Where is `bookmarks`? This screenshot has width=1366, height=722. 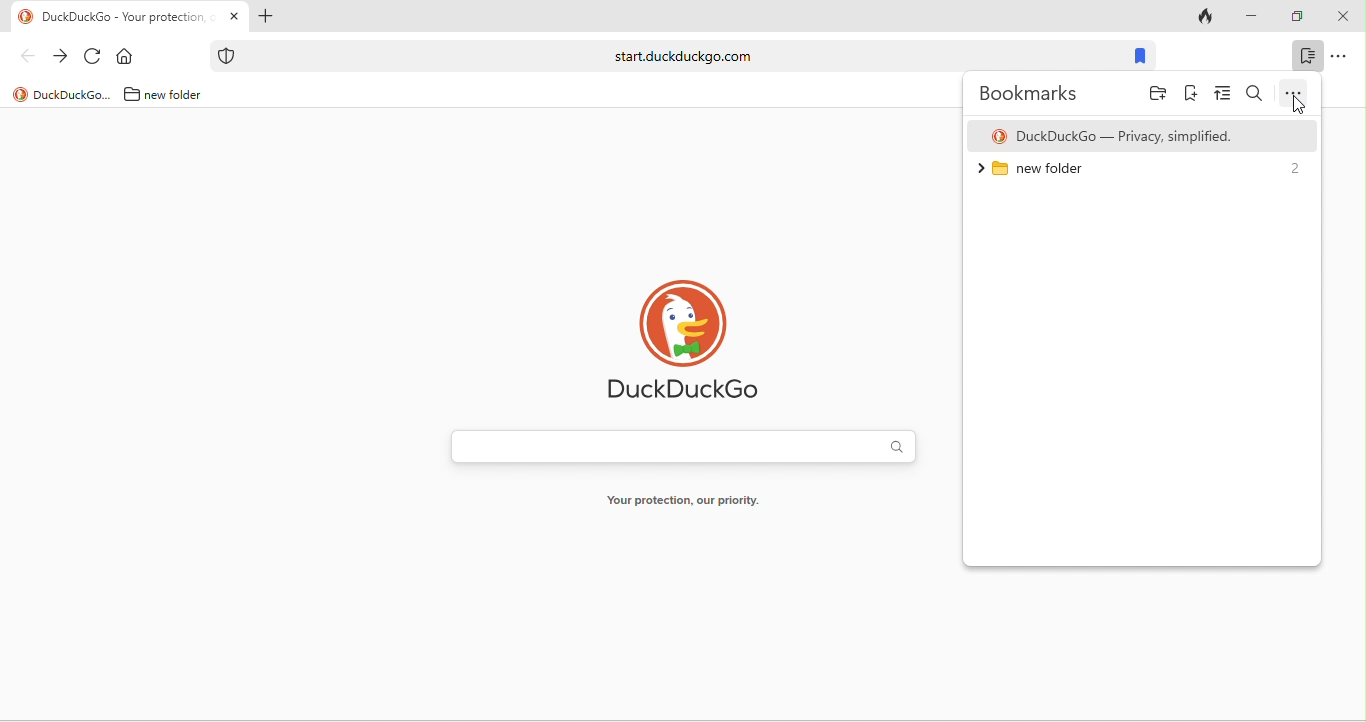
bookmarks is located at coordinates (1307, 55).